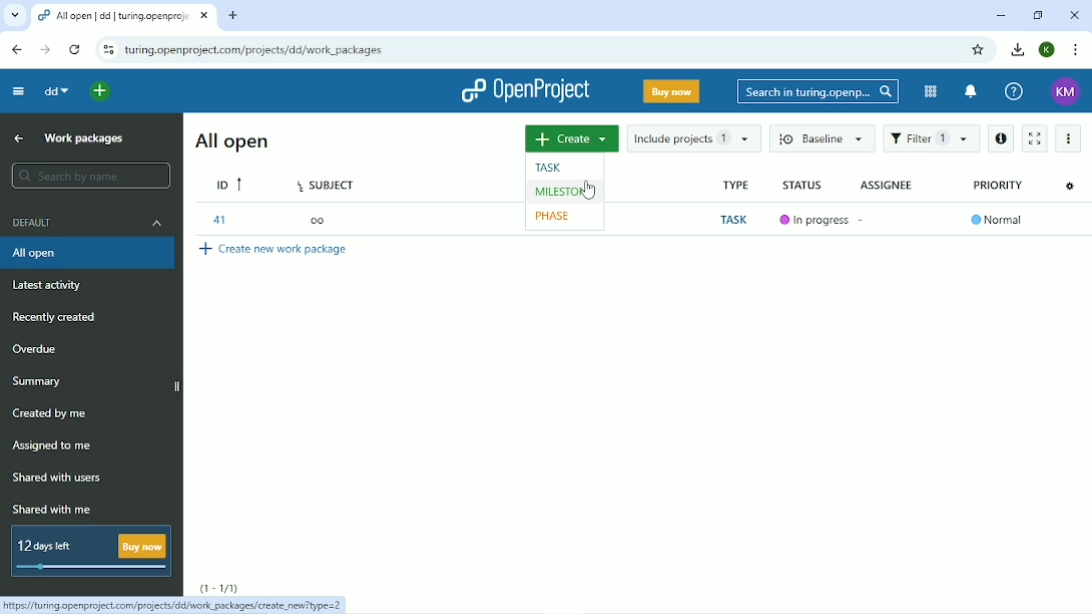  I want to click on cursor, so click(589, 191).